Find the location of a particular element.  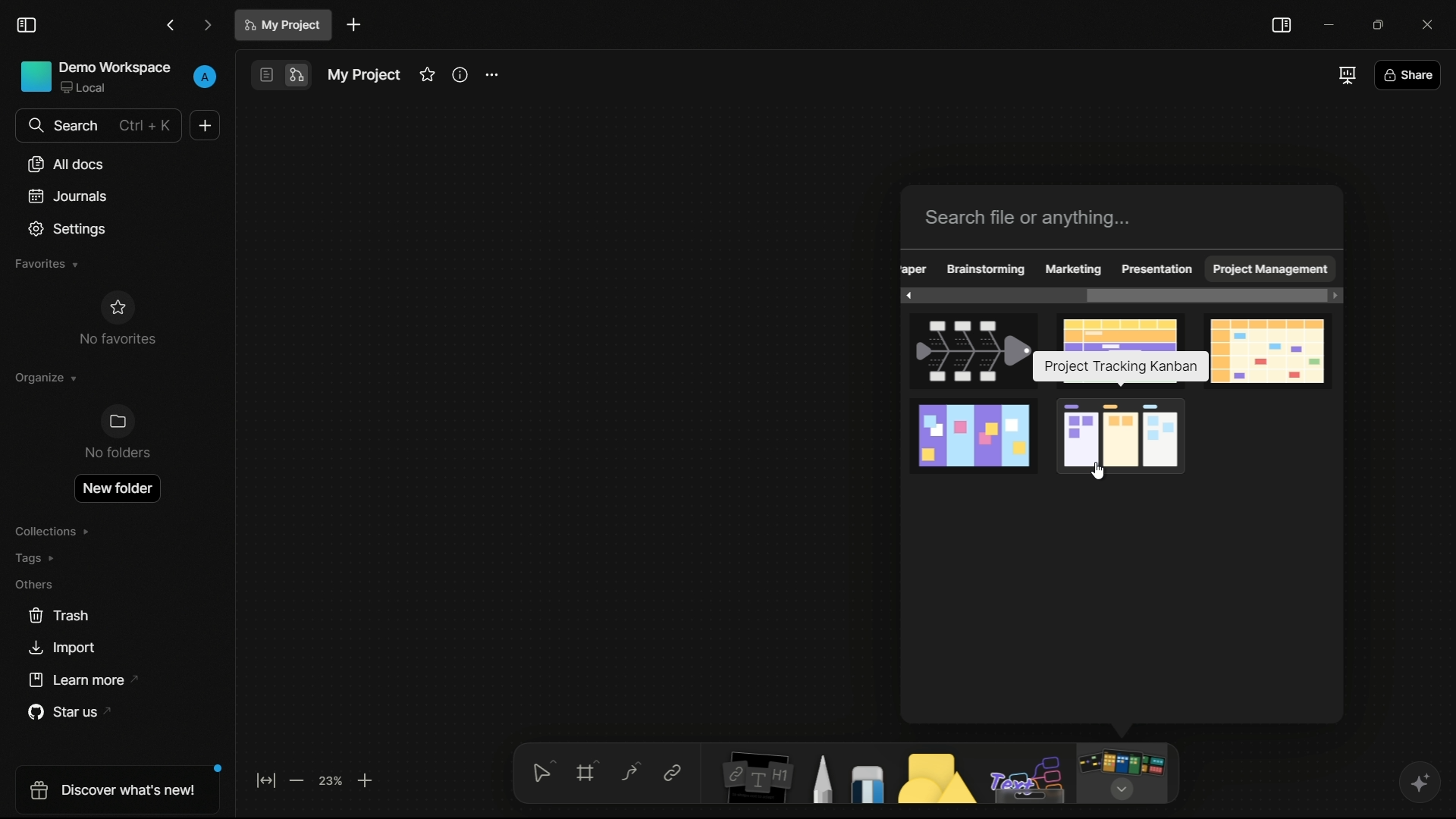

journals is located at coordinates (68, 196).